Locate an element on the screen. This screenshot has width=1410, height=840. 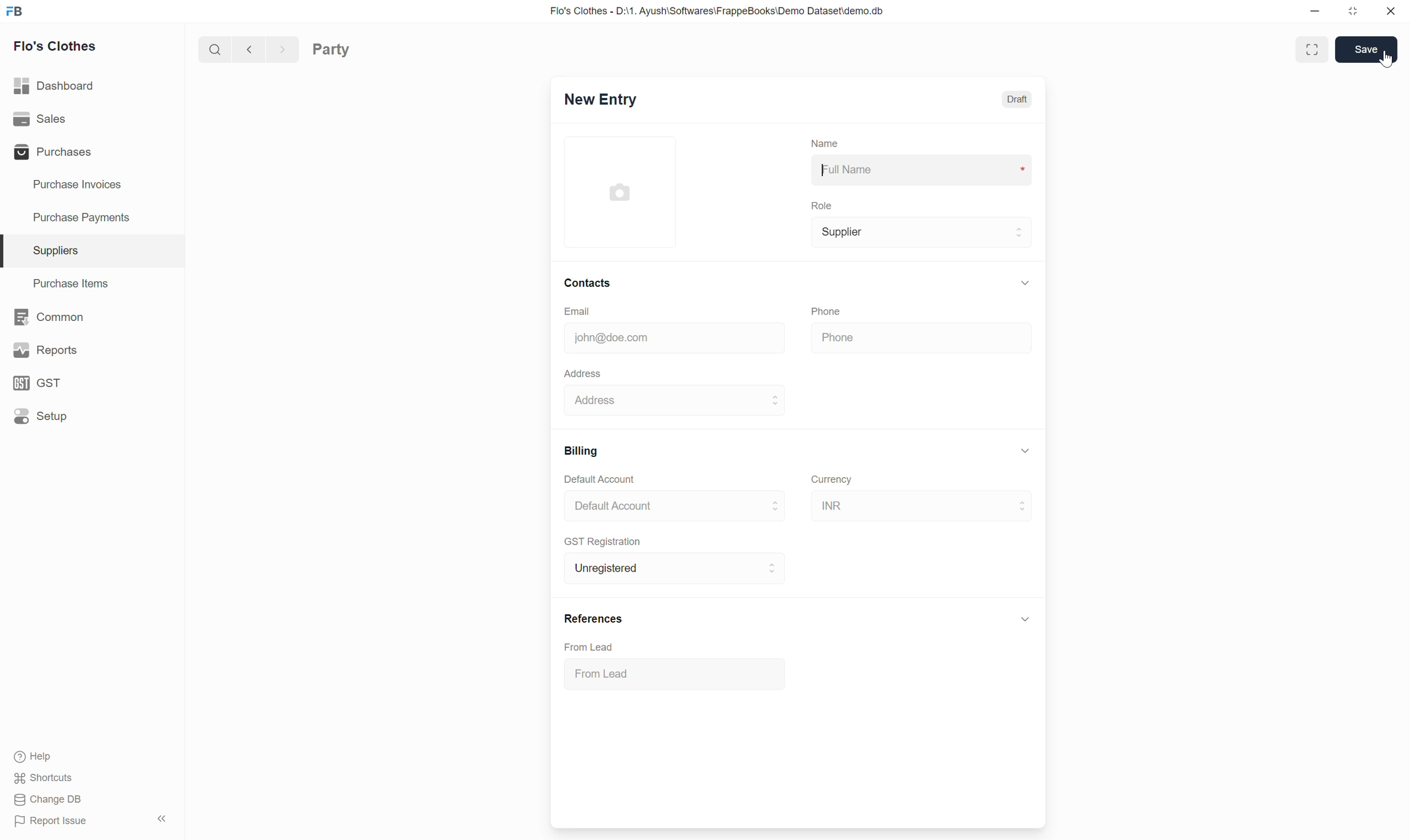
Email is located at coordinates (577, 311).